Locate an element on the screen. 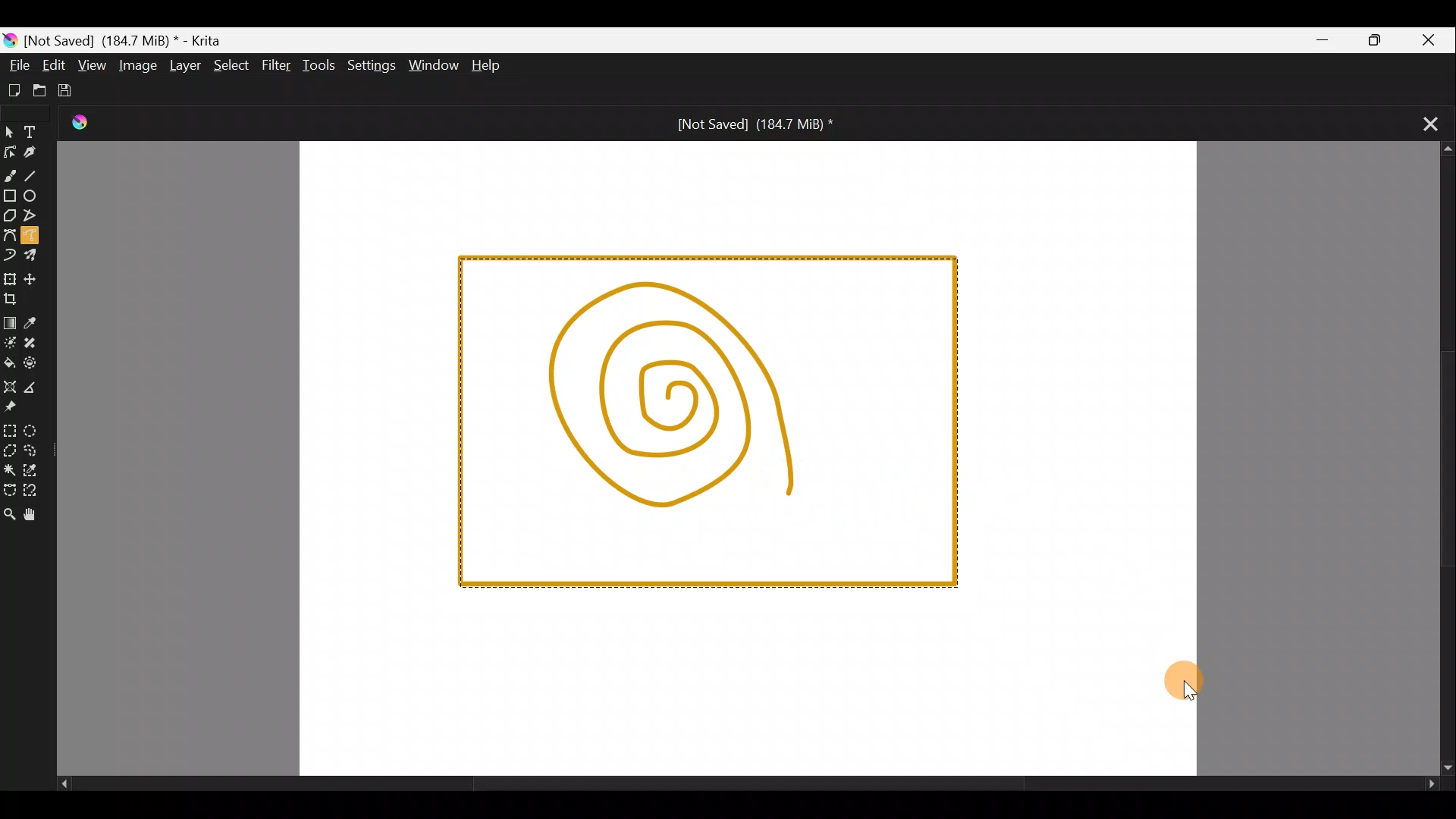 Image resolution: width=1456 pixels, height=819 pixels. Layer is located at coordinates (186, 64).